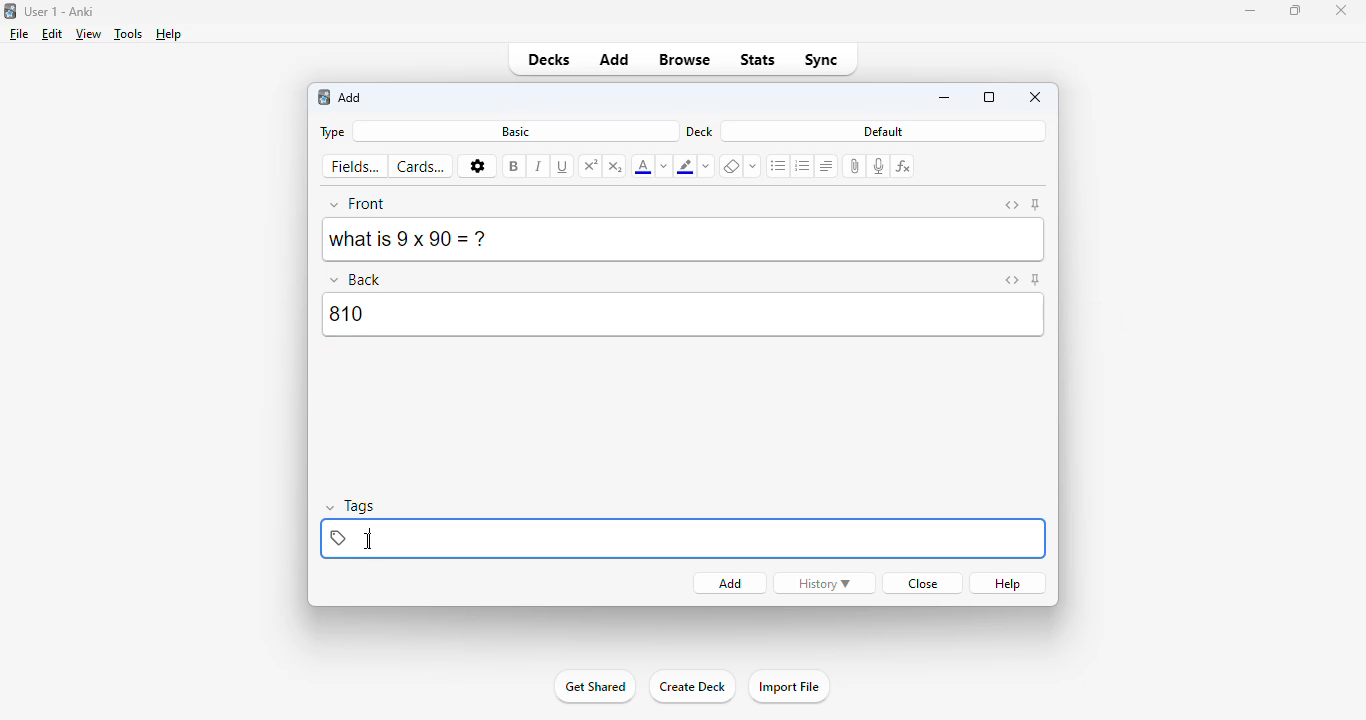 The height and width of the screenshot is (720, 1366). What do you see at coordinates (989, 97) in the screenshot?
I see `maximize` at bounding box center [989, 97].